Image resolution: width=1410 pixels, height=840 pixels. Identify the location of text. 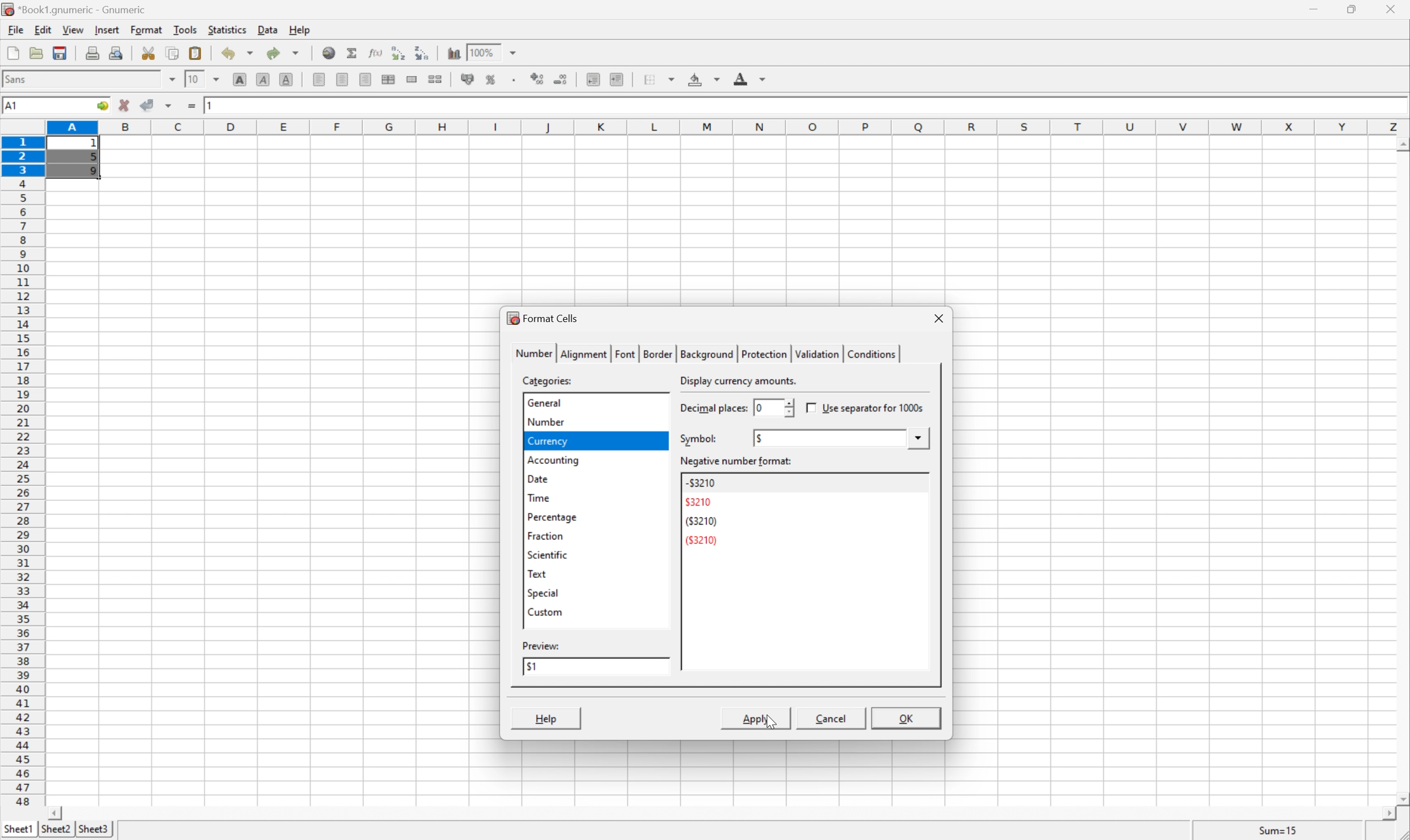
(537, 573).